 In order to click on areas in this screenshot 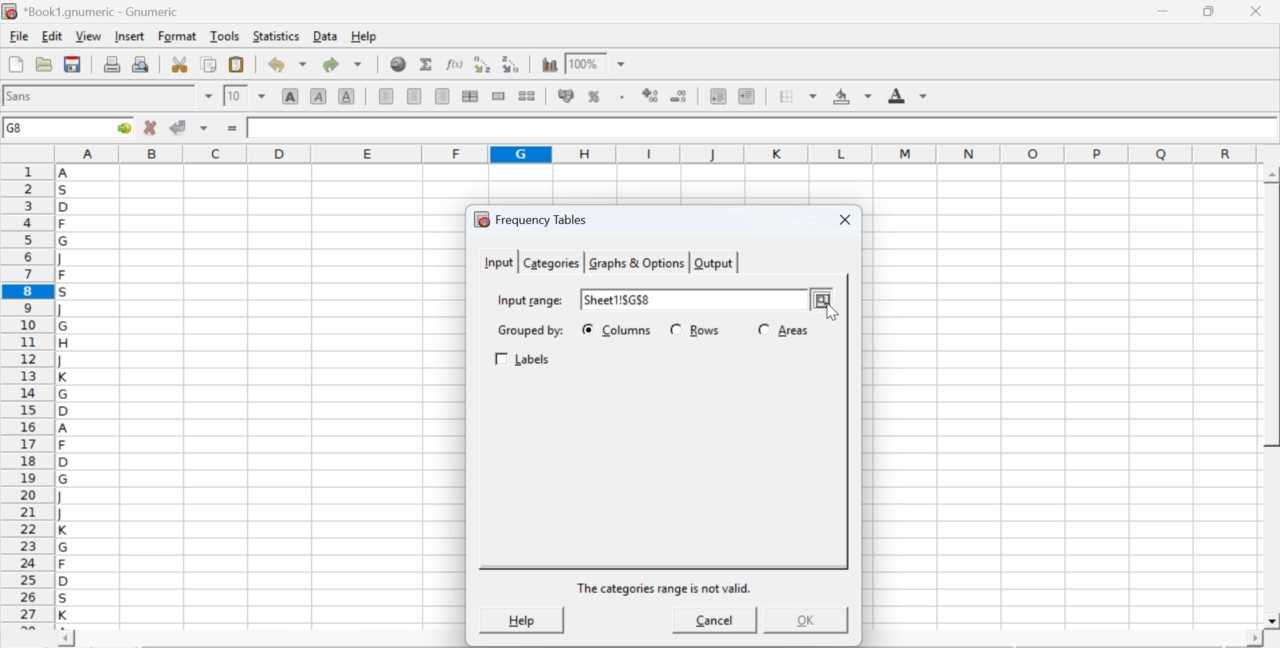, I will do `click(793, 330)`.